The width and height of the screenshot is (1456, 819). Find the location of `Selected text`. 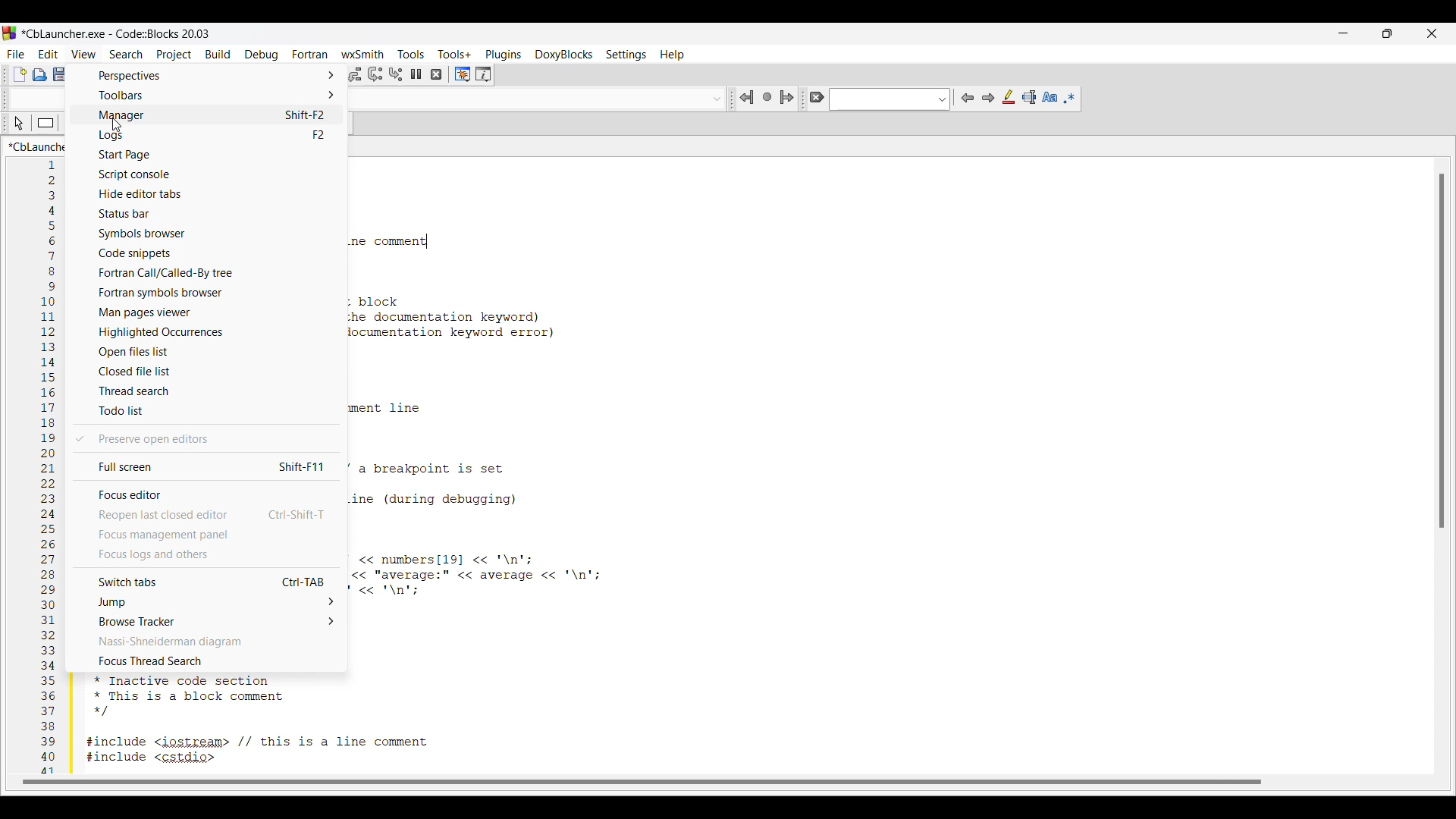

Selected text is located at coordinates (1029, 97).